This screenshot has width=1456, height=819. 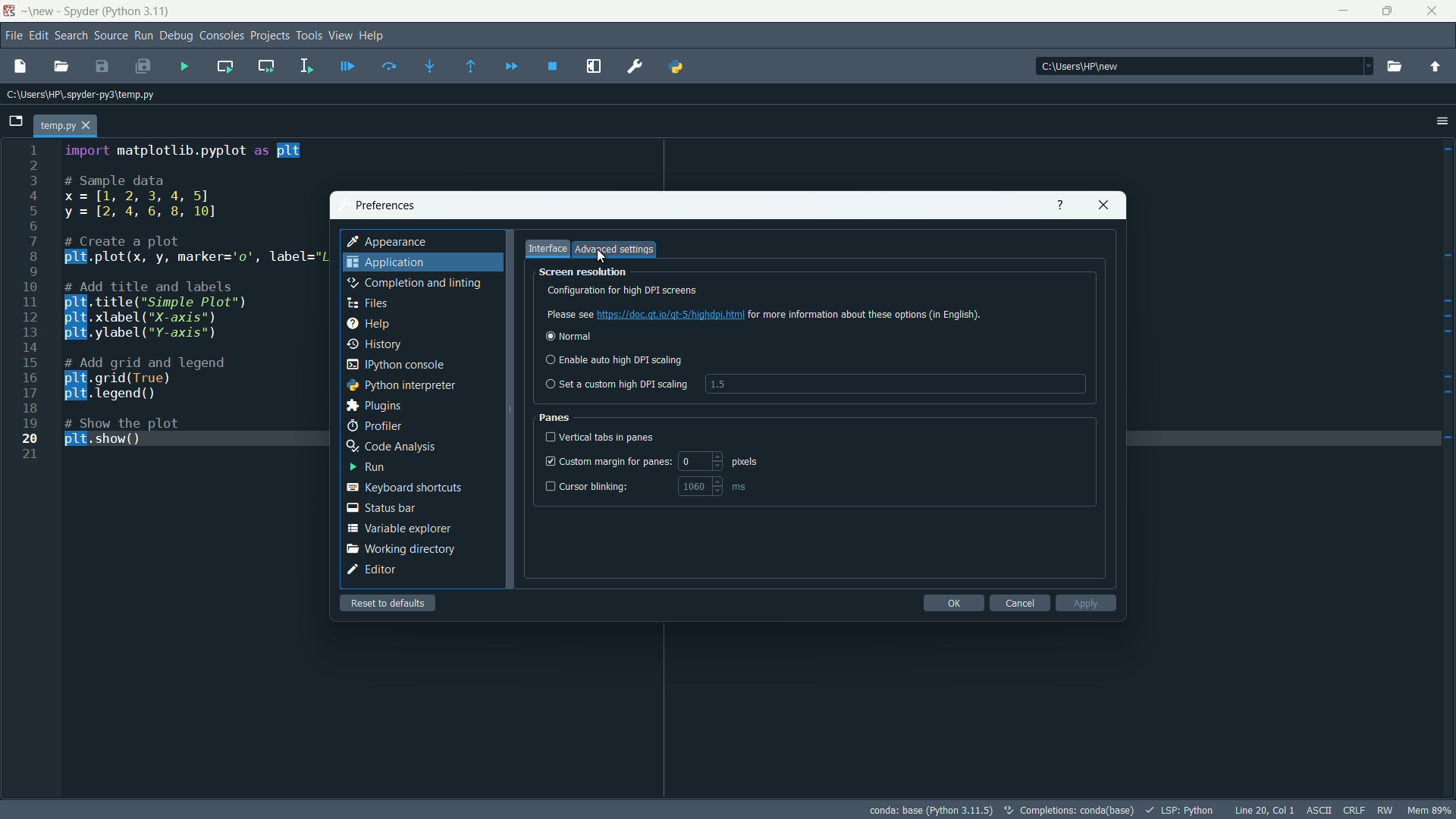 I want to click on ipython console, so click(x=394, y=365).